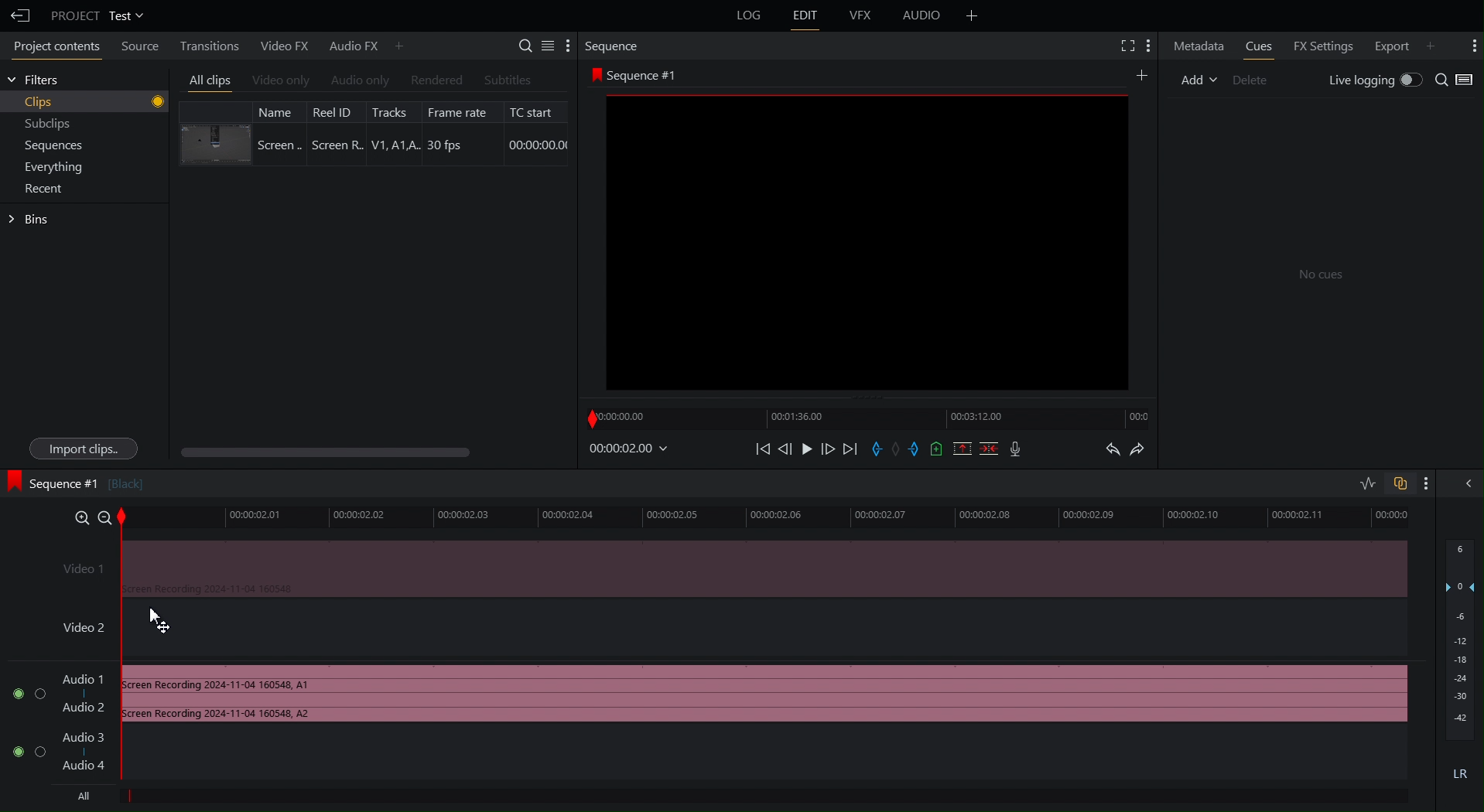 The height and width of the screenshot is (812, 1484). What do you see at coordinates (641, 73) in the screenshot?
I see `Sequence #1` at bounding box center [641, 73].